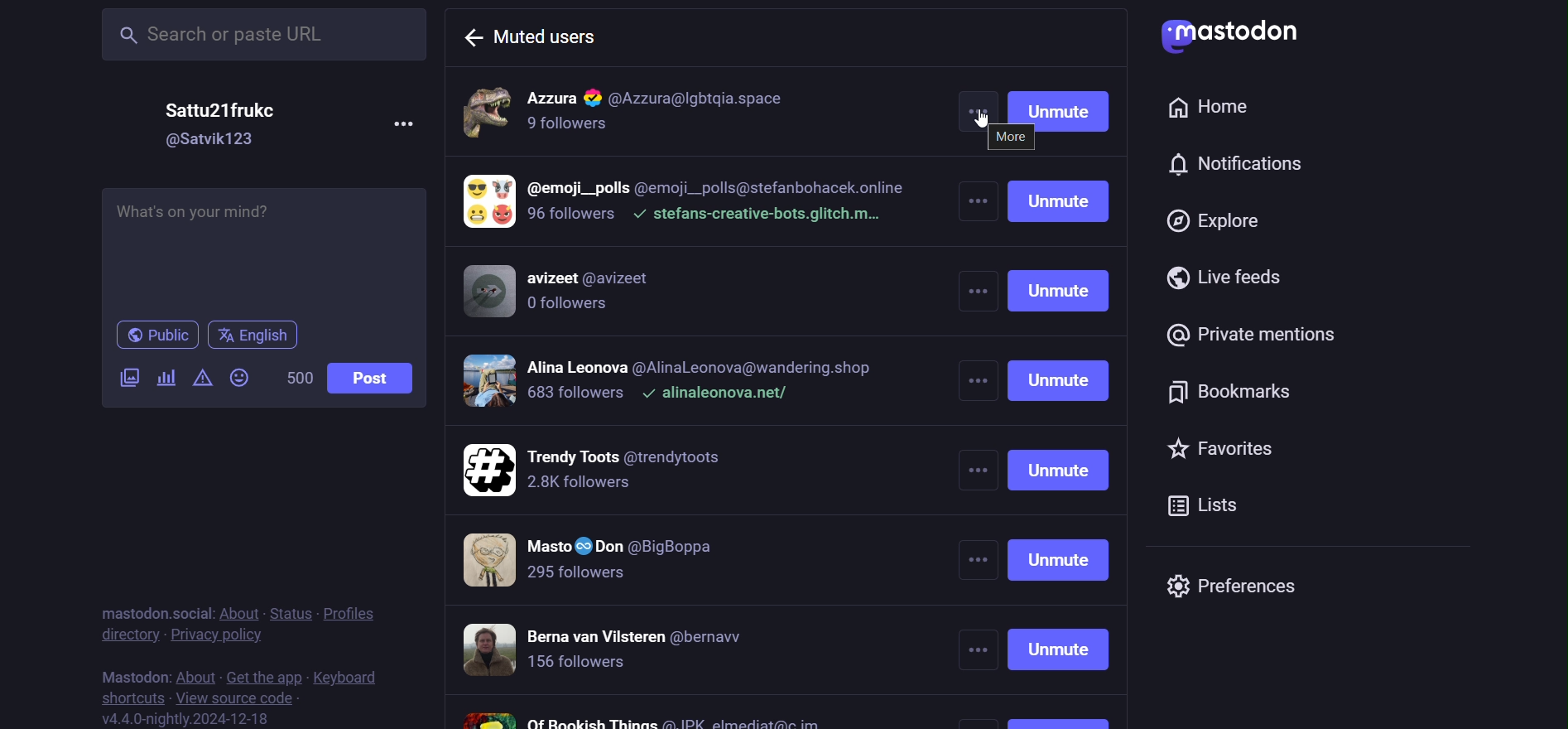 This screenshot has height=729, width=1568. I want to click on list, so click(1208, 503).